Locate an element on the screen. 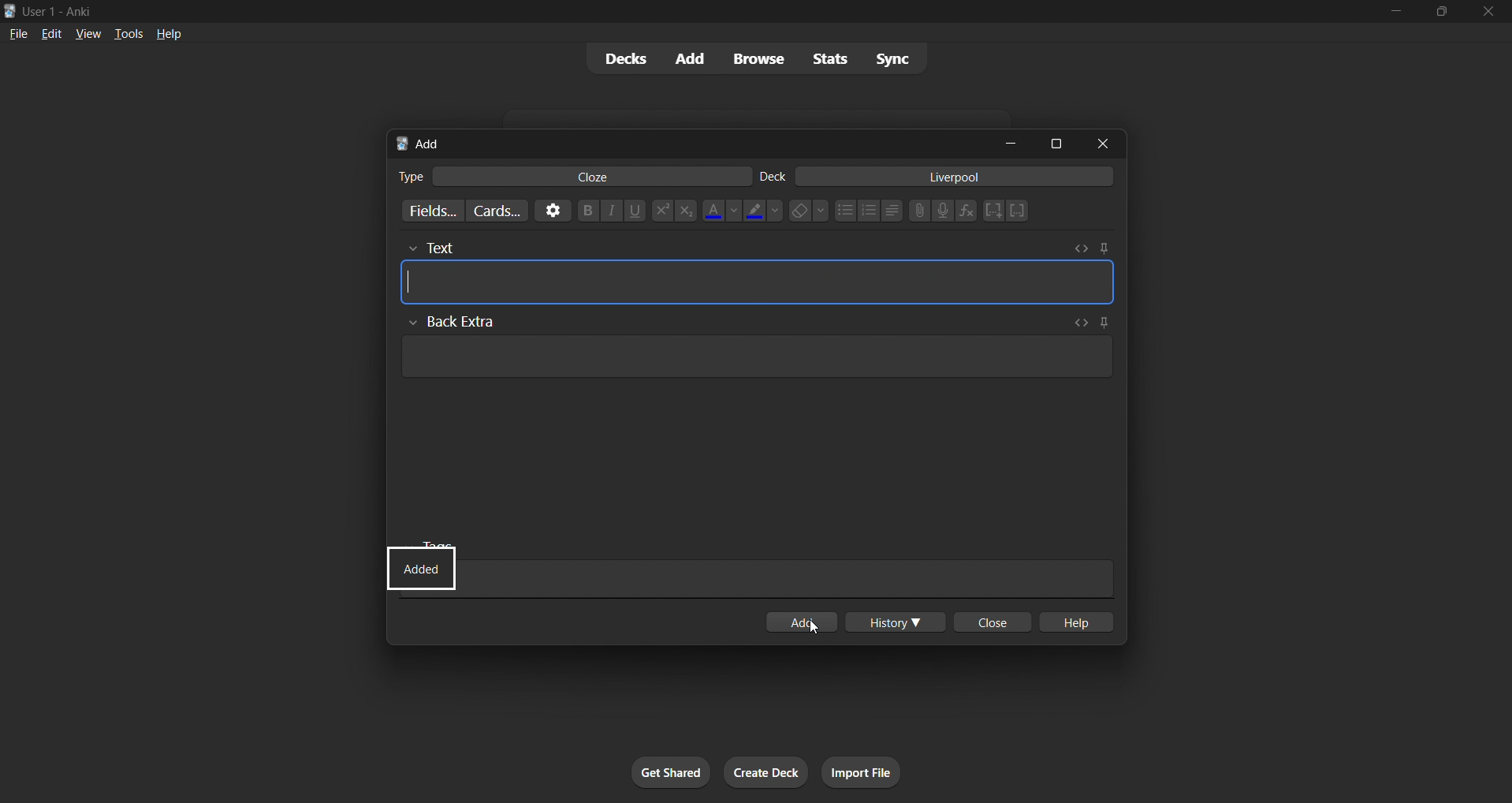 This screenshot has width=1512, height=803. card text field is located at coordinates (759, 285).